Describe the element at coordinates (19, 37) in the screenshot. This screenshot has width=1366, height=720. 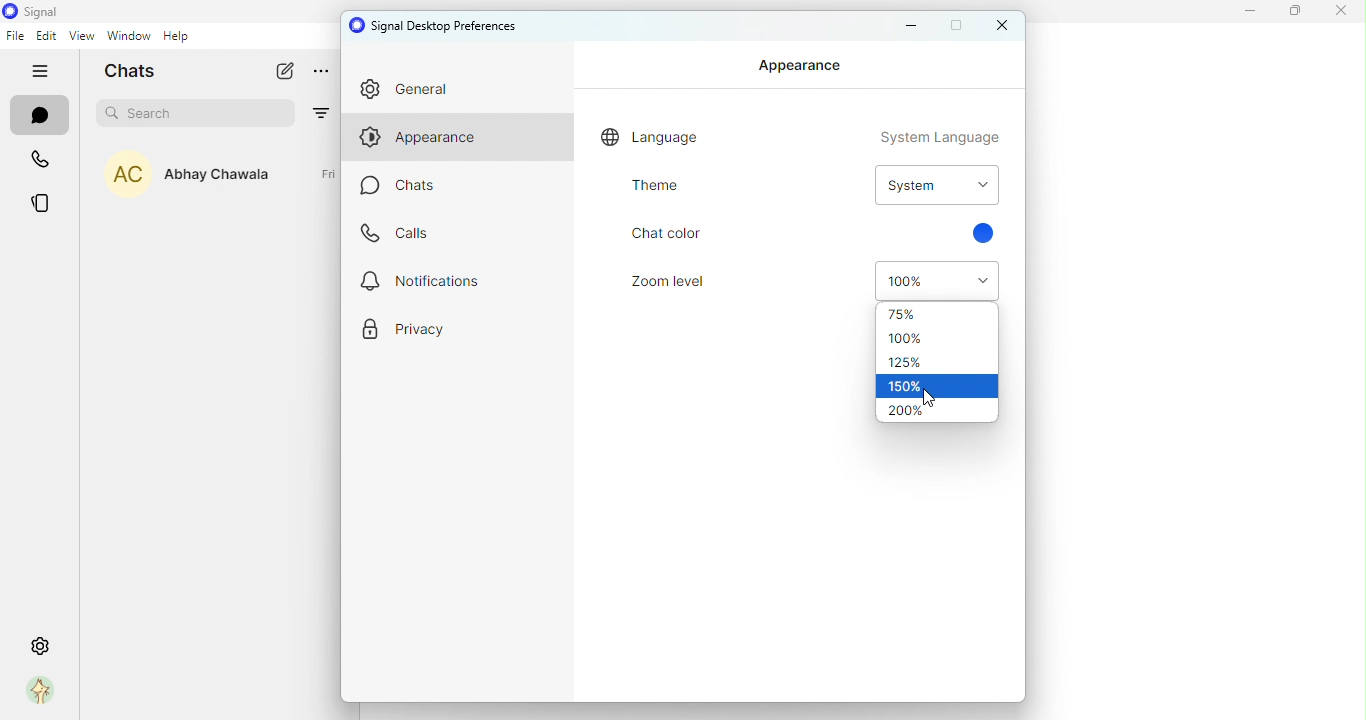
I see `file` at that location.